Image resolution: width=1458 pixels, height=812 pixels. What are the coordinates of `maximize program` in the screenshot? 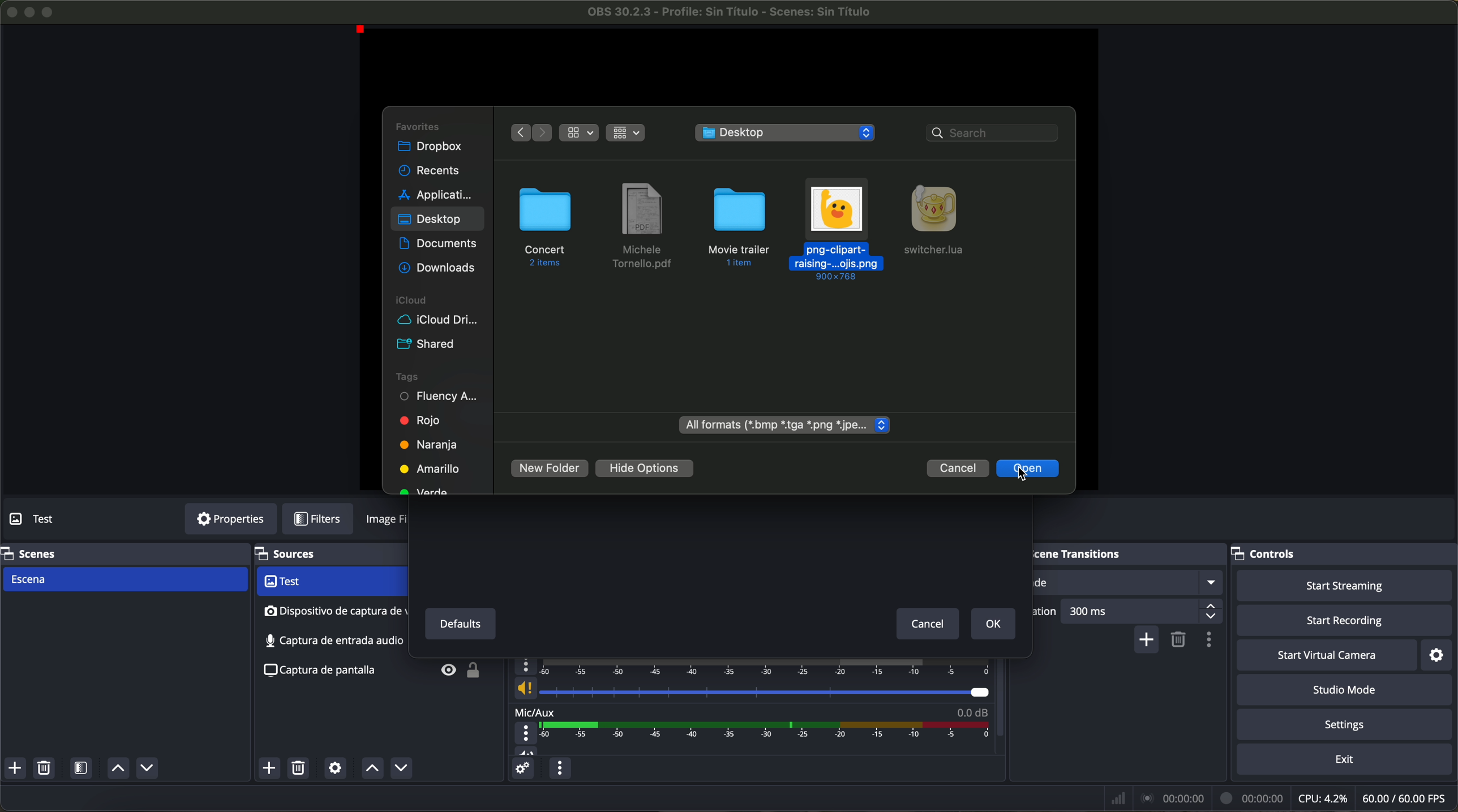 It's located at (50, 11).